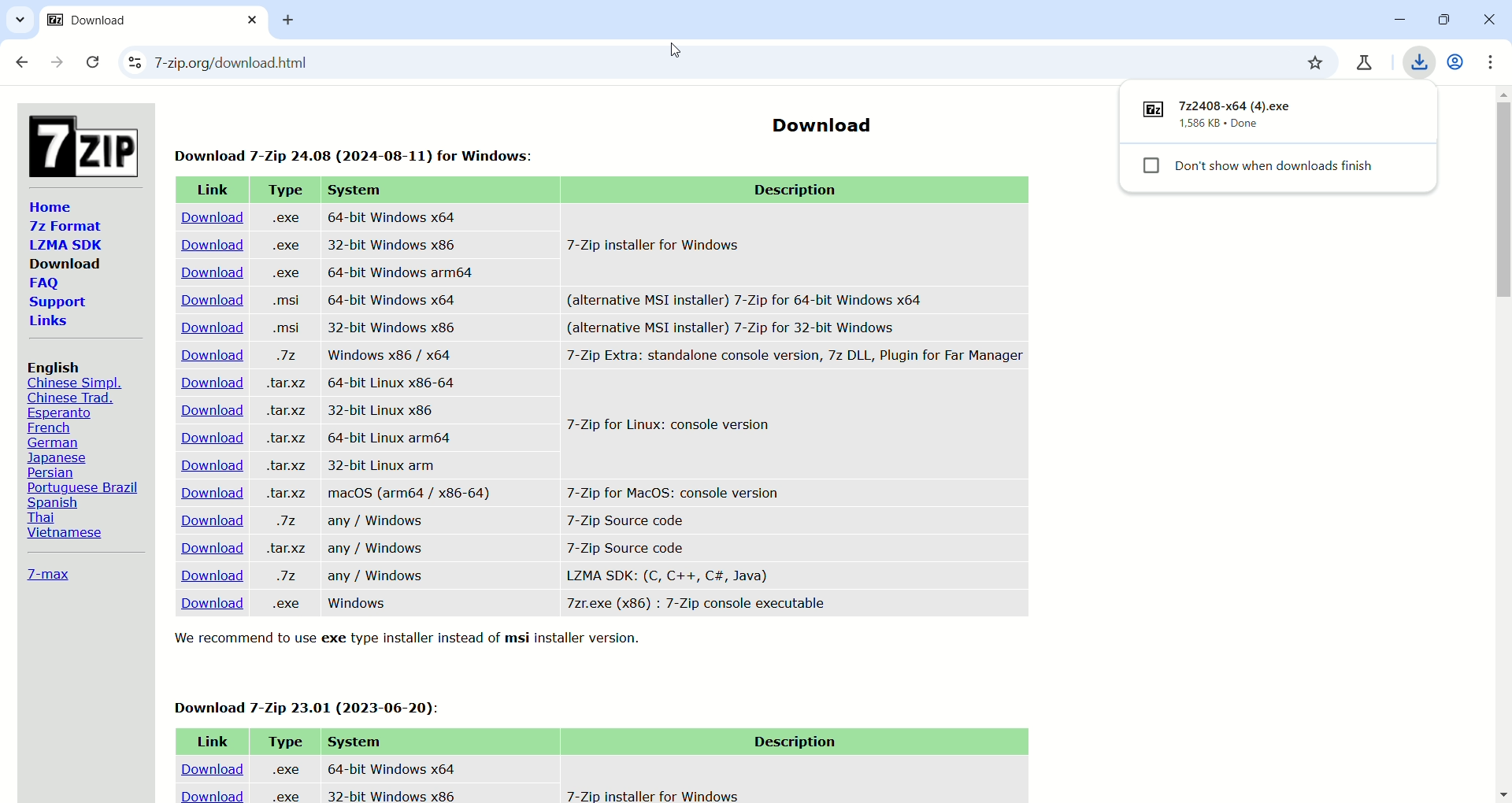  What do you see at coordinates (402, 272) in the screenshot?
I see `64-bit Windows arm64` at bounding box center [402, 272].